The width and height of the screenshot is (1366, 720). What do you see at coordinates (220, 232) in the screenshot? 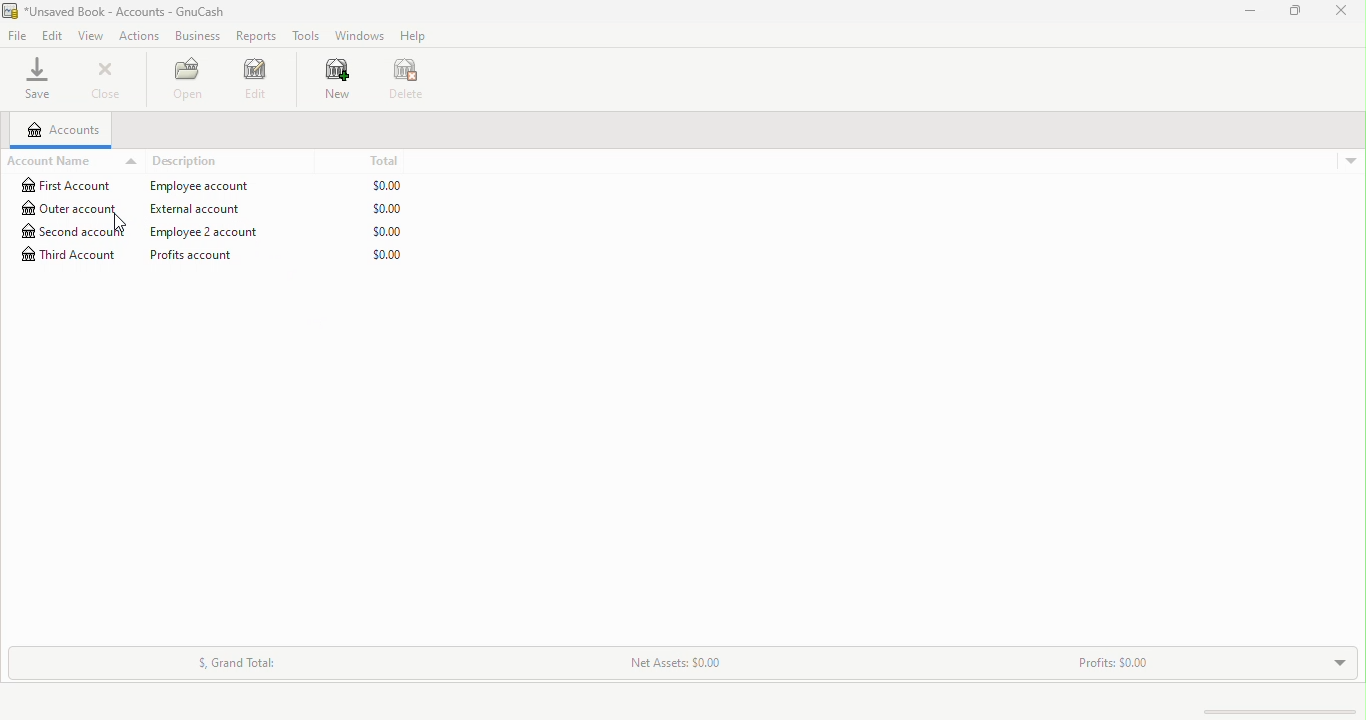
I see `Second account` at bounding box center [220, 232].